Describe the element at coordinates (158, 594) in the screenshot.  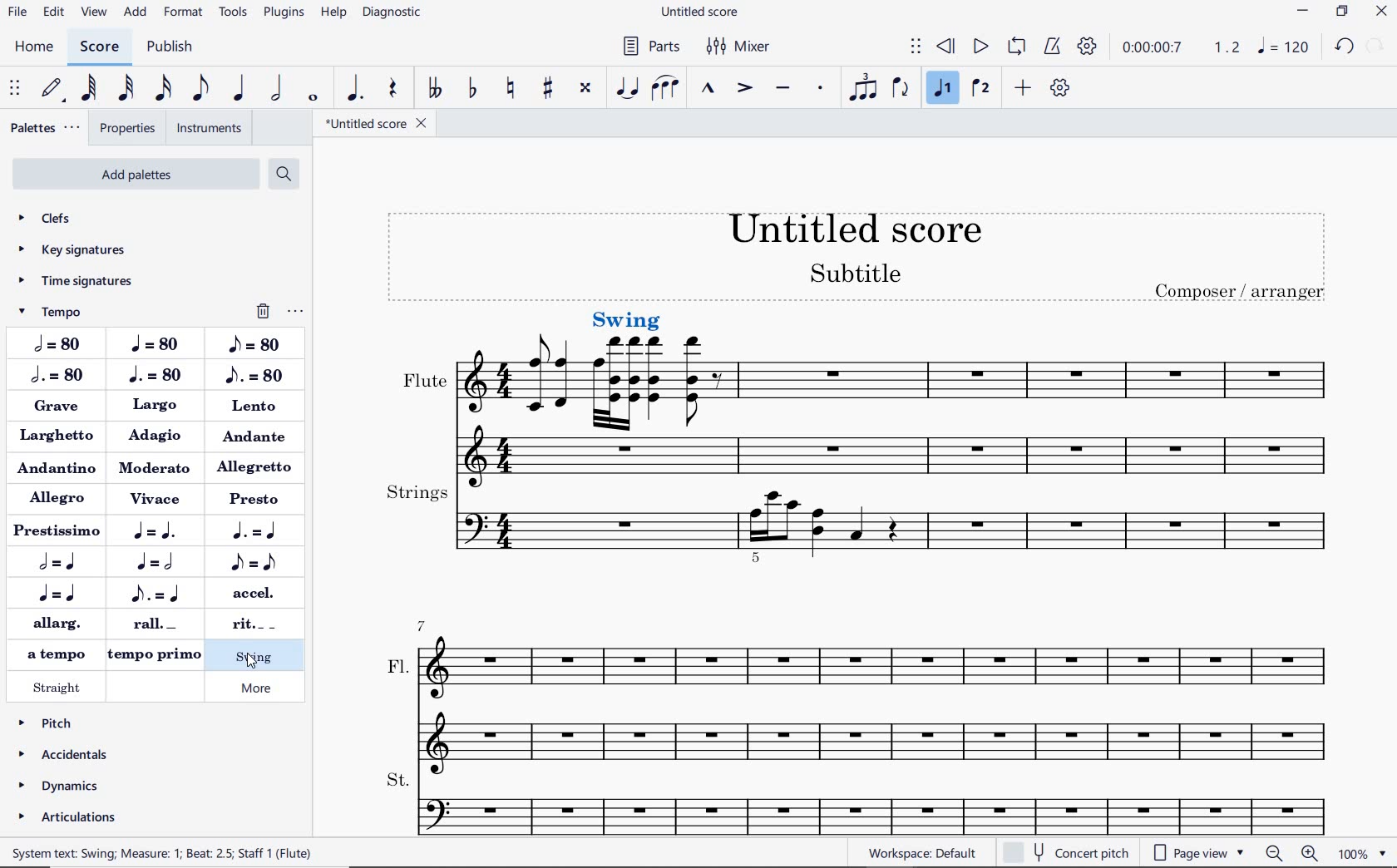
I see `METRIC MODULATION: DOTTED EIGHTH NOTE` at that location.